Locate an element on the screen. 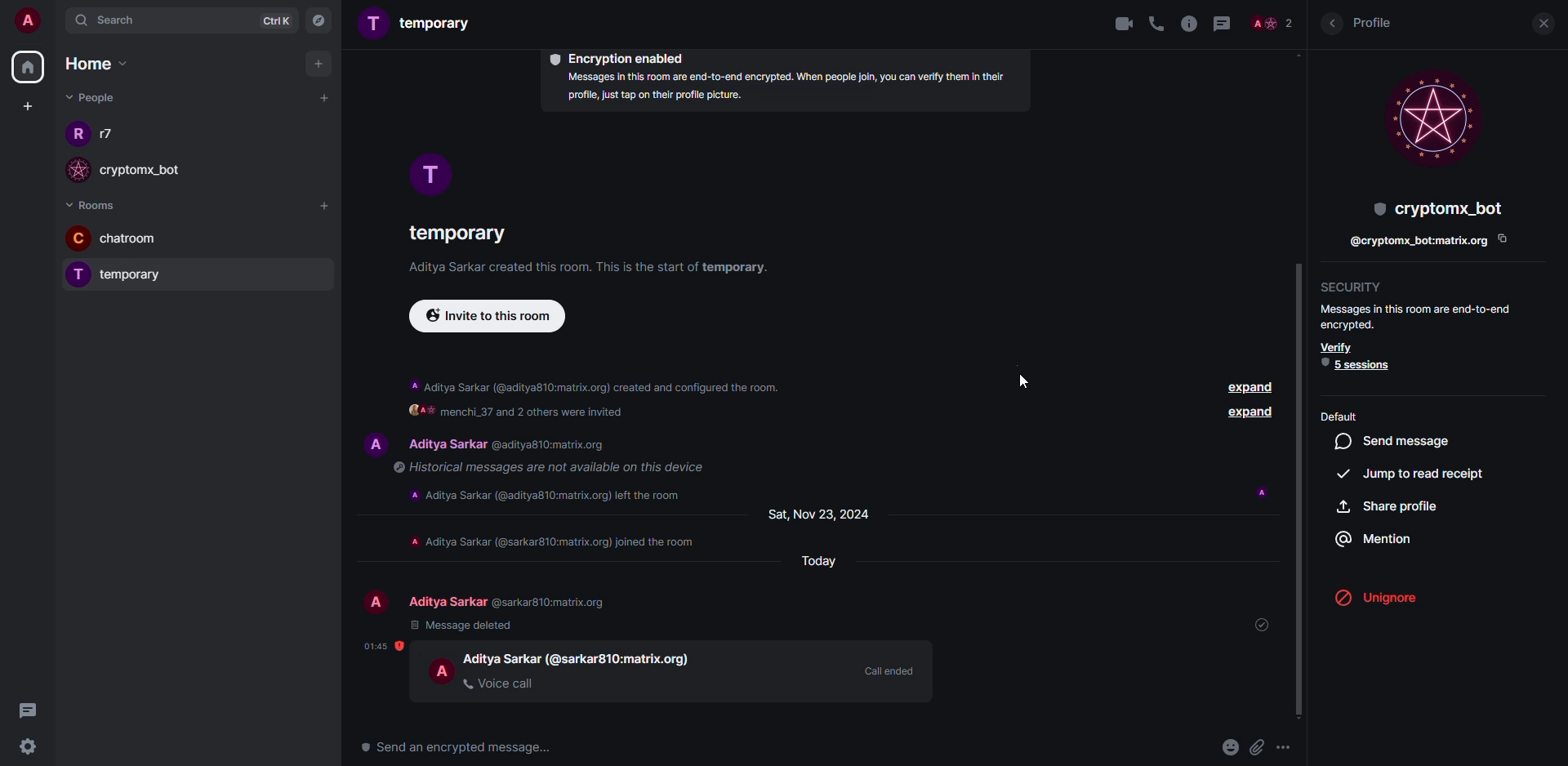 The width and height of the screenshot is (1568, 766). share profile is located at coordinates (1388, 505).